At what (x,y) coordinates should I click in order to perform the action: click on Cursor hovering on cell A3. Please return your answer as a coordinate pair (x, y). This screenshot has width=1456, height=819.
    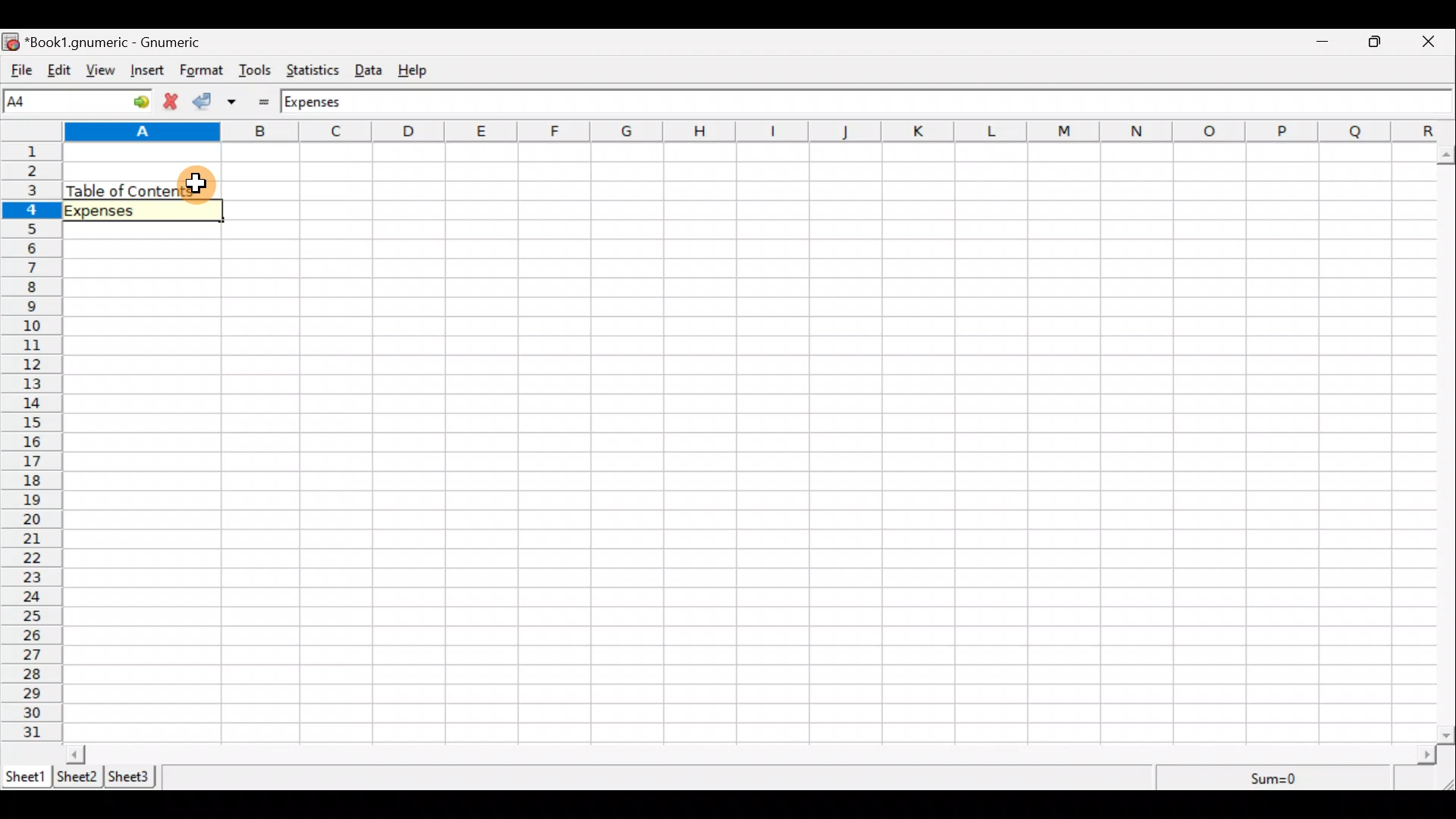
    Looking at the image, I should click on (199, 179).